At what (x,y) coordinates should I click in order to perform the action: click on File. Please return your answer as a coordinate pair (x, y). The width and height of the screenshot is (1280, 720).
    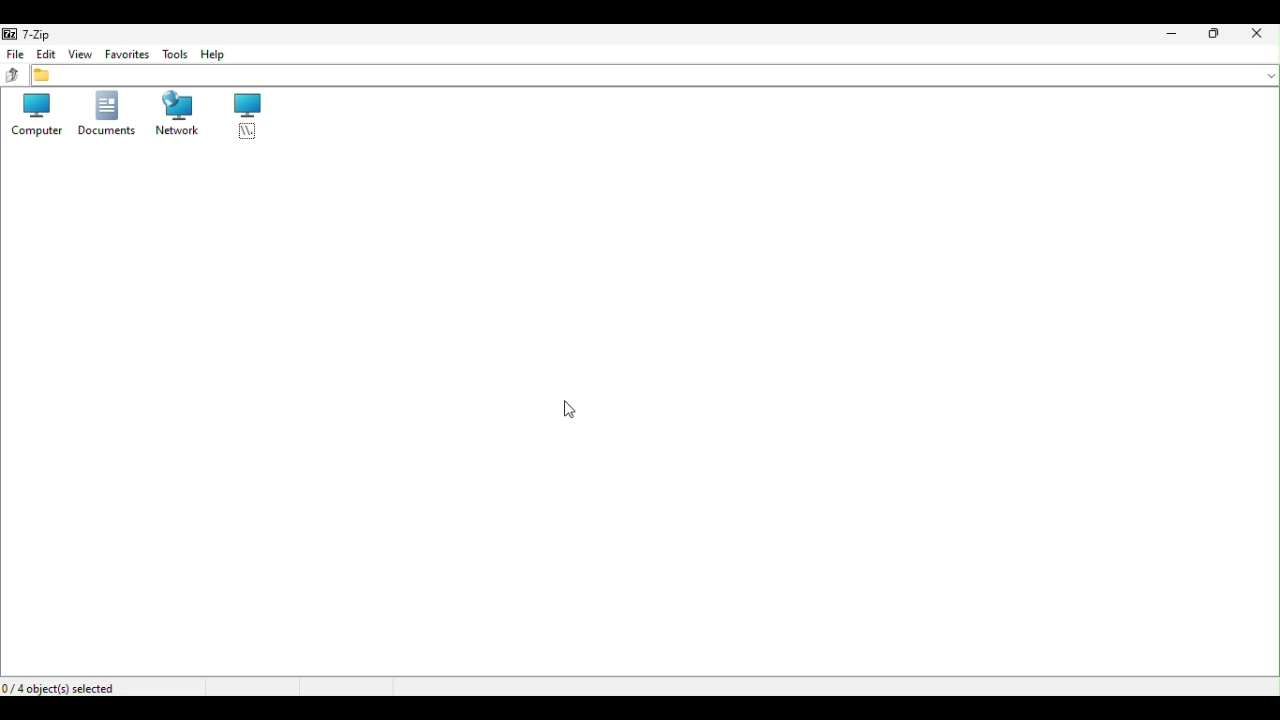
    Looking at the image, I should click on (14, 54).